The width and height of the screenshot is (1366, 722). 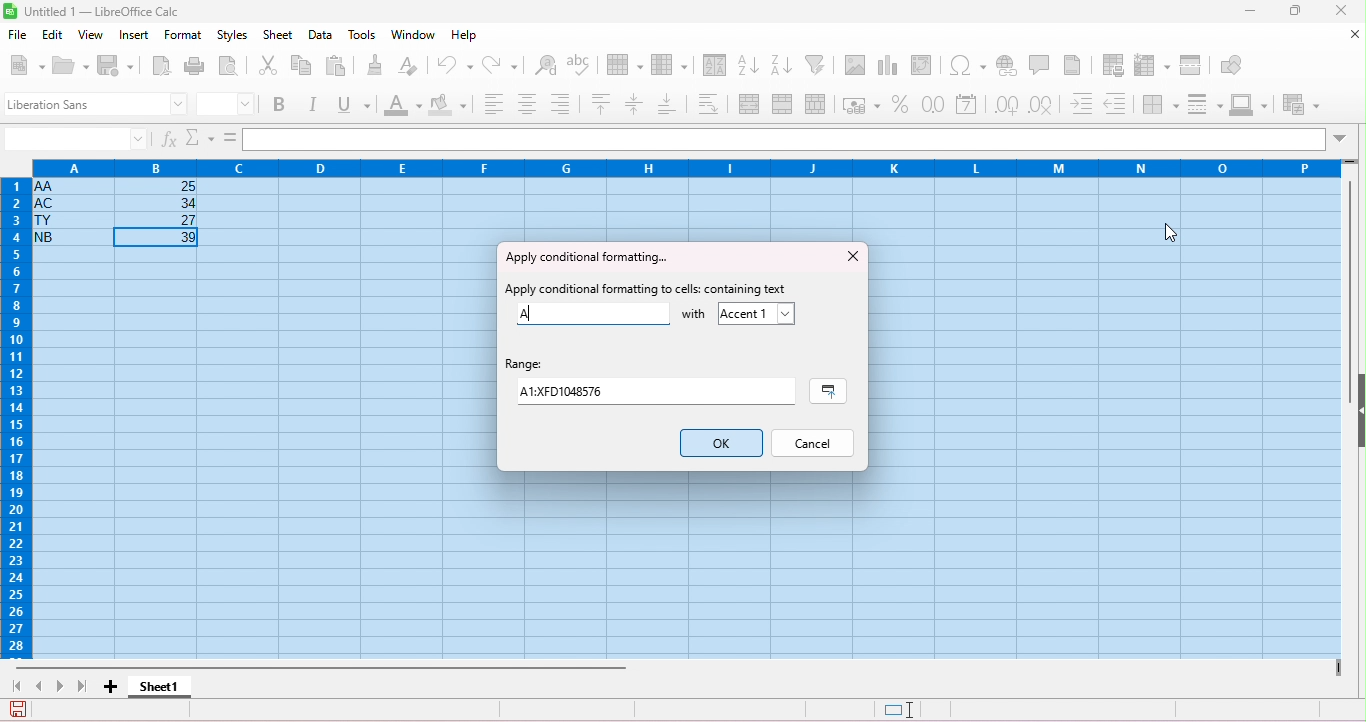 I want to click on range value, so click(x=596, y=390).